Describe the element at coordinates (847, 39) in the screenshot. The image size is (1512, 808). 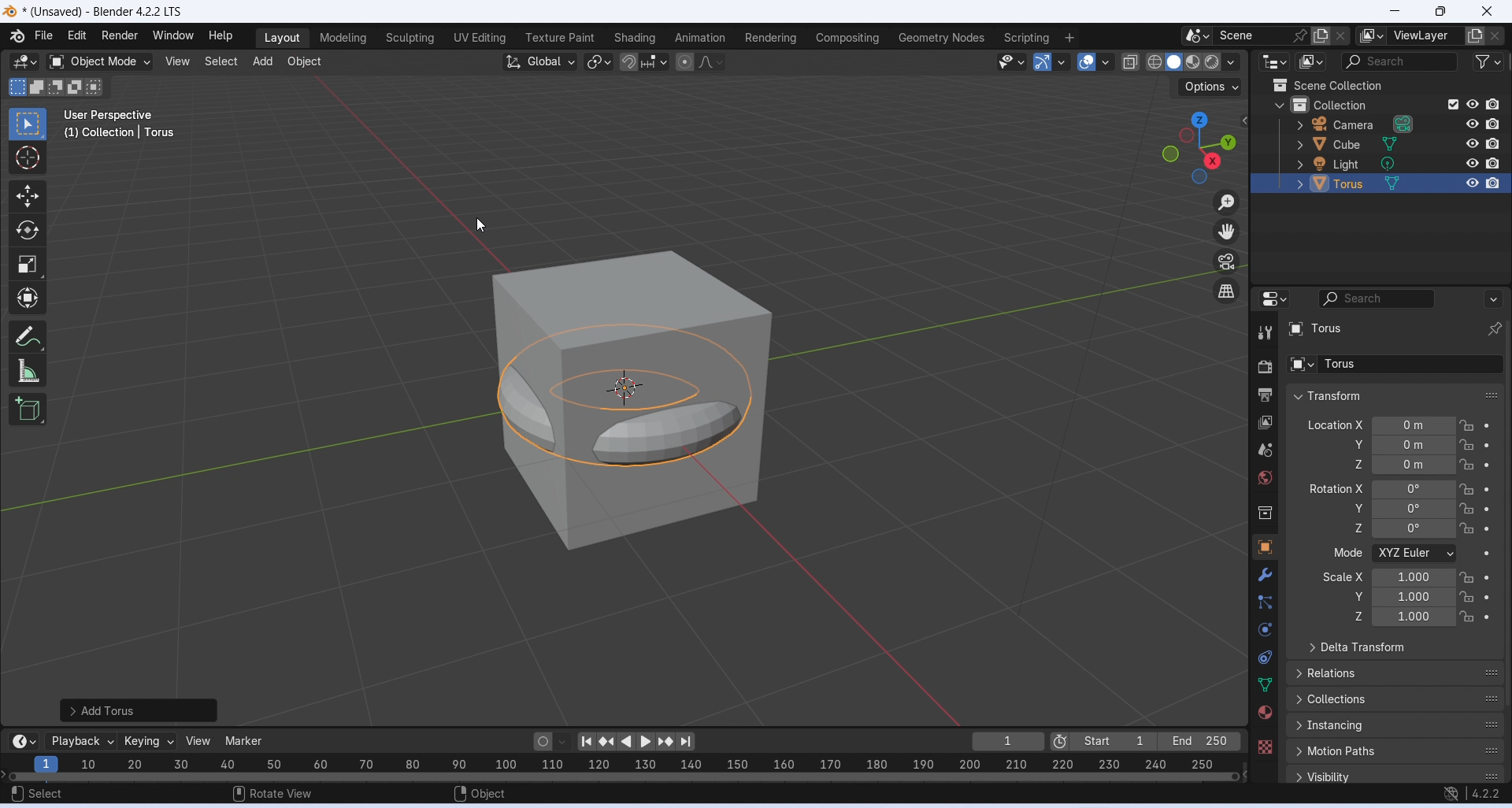
I see `Compositing` at that location.